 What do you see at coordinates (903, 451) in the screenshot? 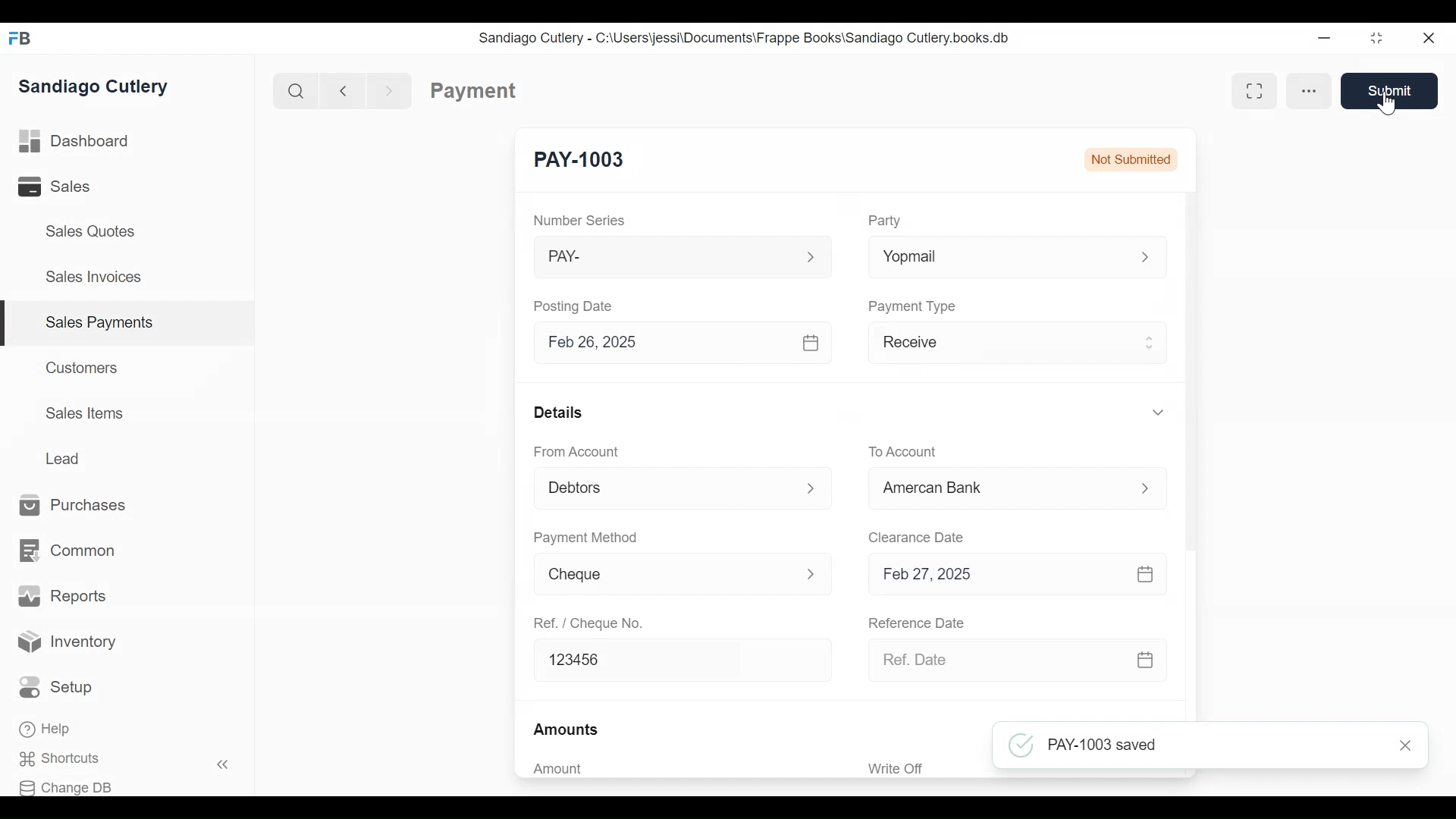
I see `To Account` at bounding box center [903, 451].